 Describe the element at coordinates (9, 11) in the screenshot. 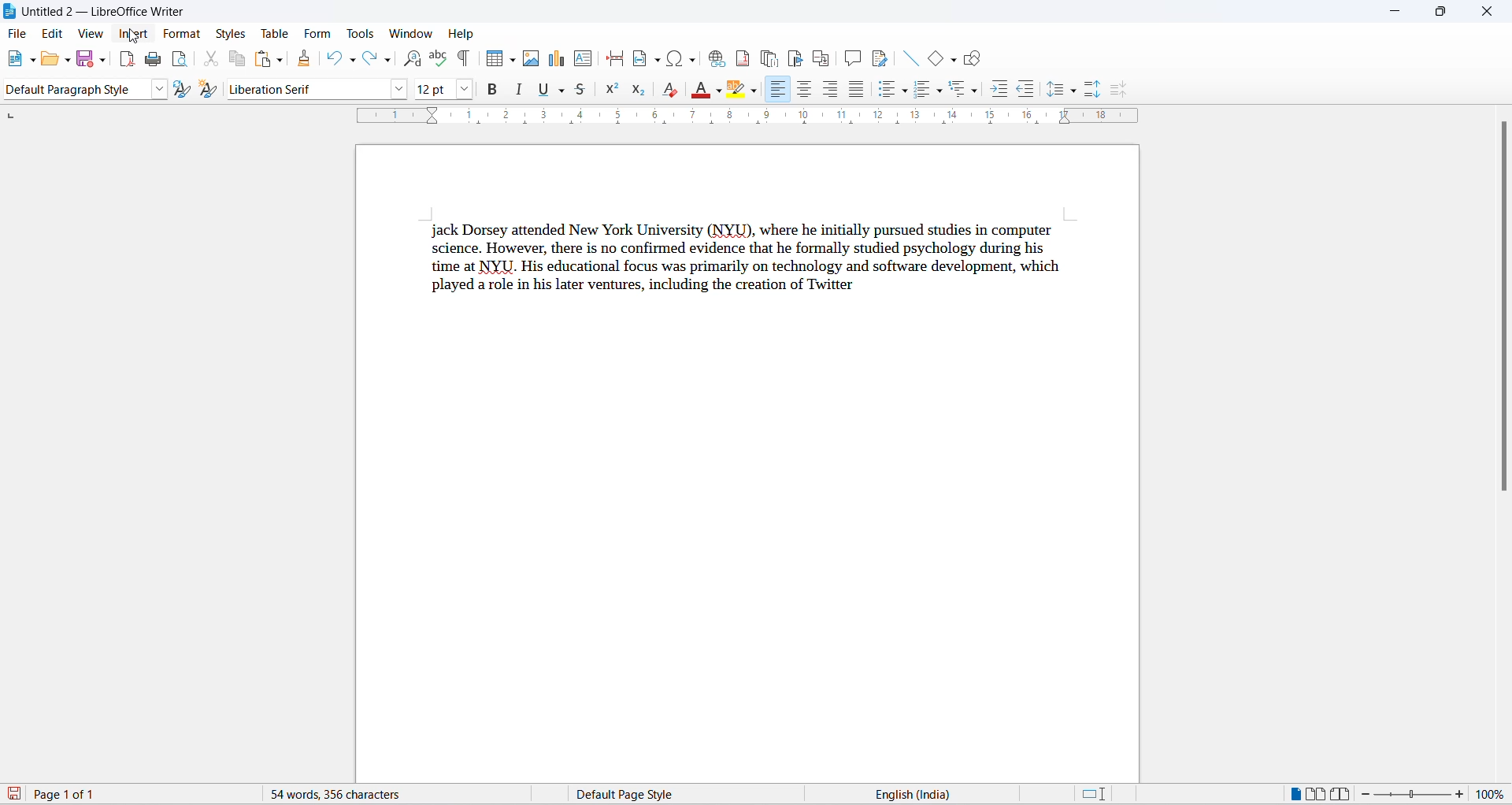

I see `LibreOffice Icon` at that location.